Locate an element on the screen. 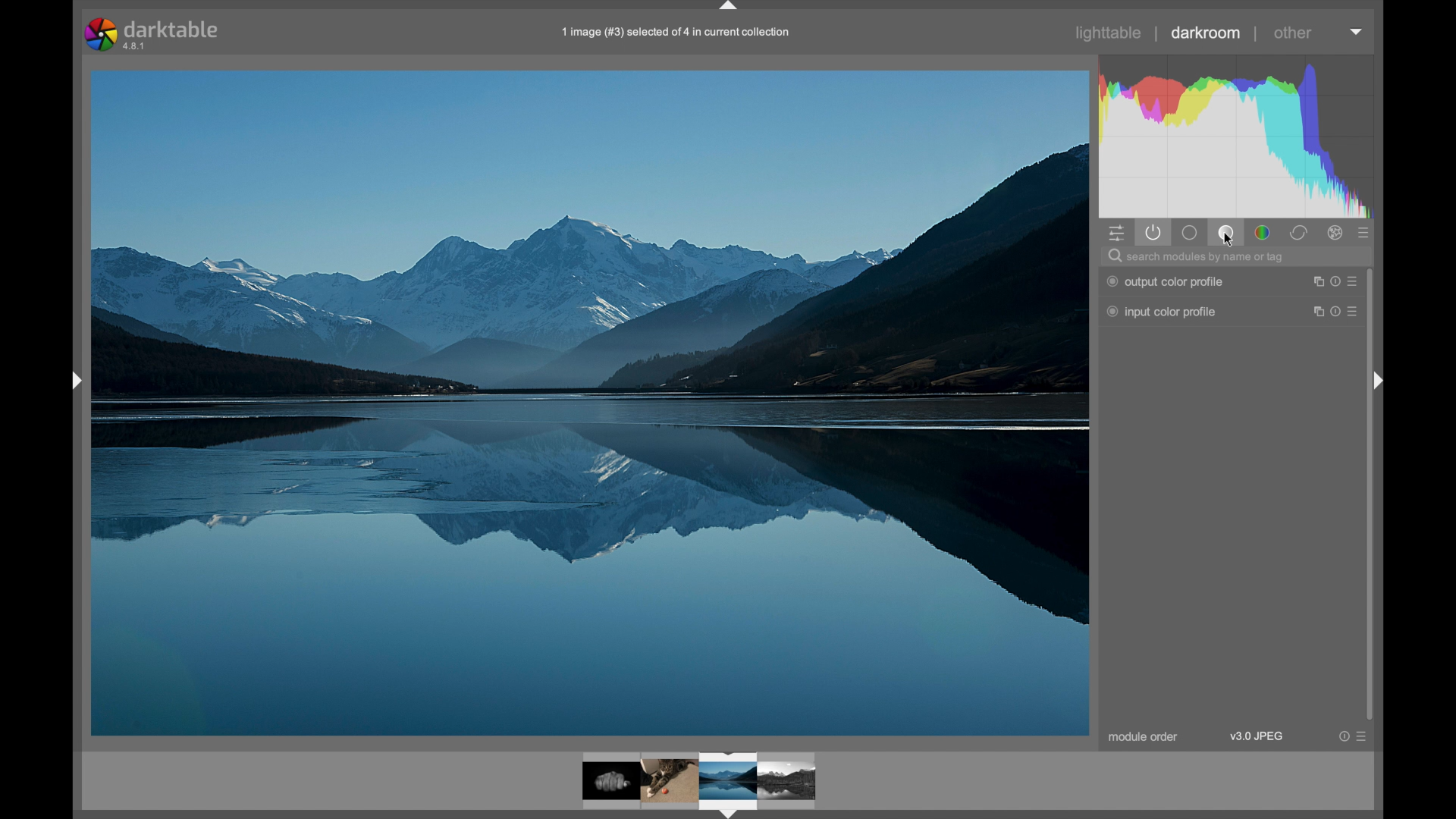  v3.9 jpeg is located at coordinates (1257, 736).